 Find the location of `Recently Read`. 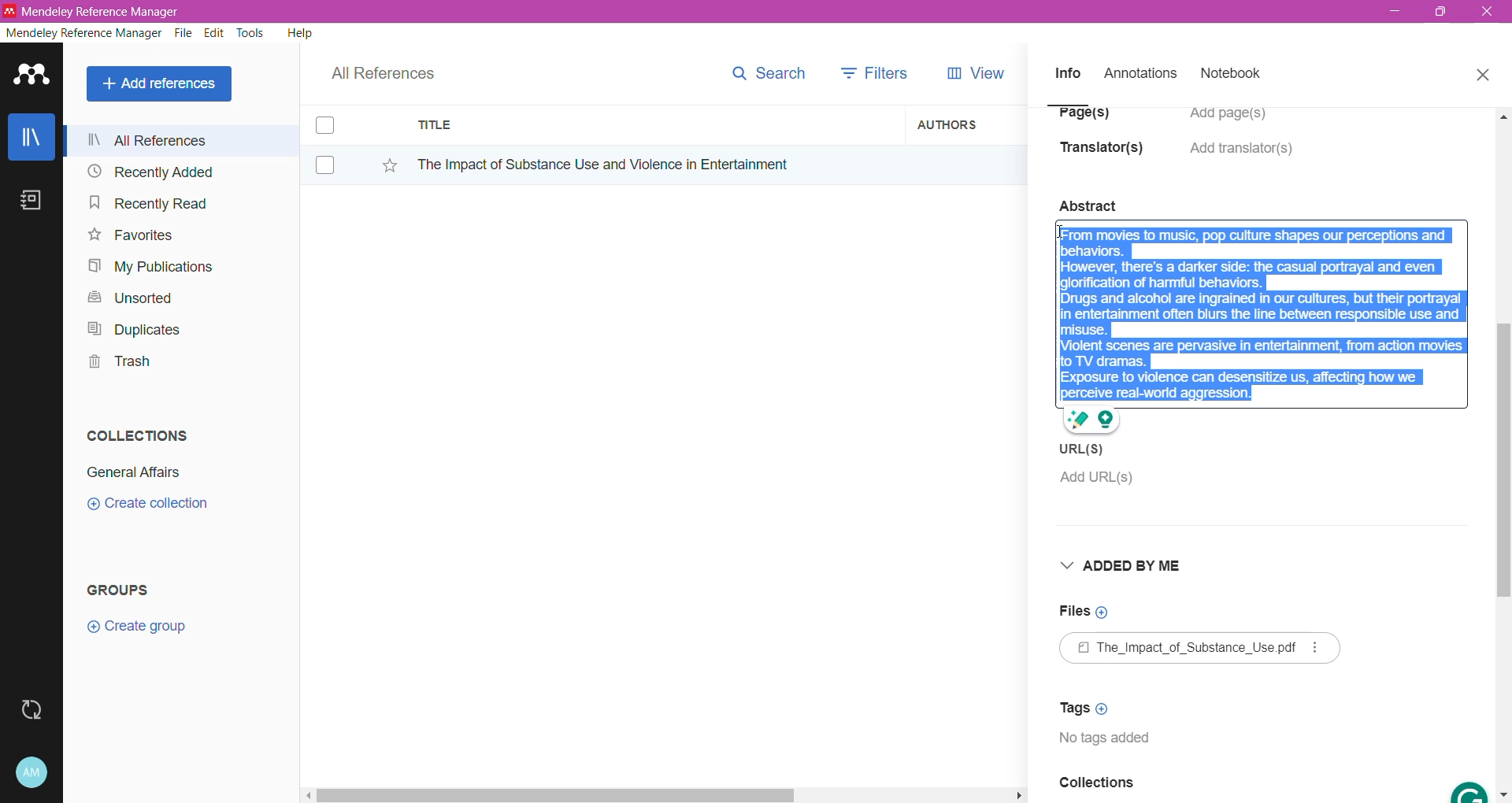

Recently Read is located at coordinates (148, 202).